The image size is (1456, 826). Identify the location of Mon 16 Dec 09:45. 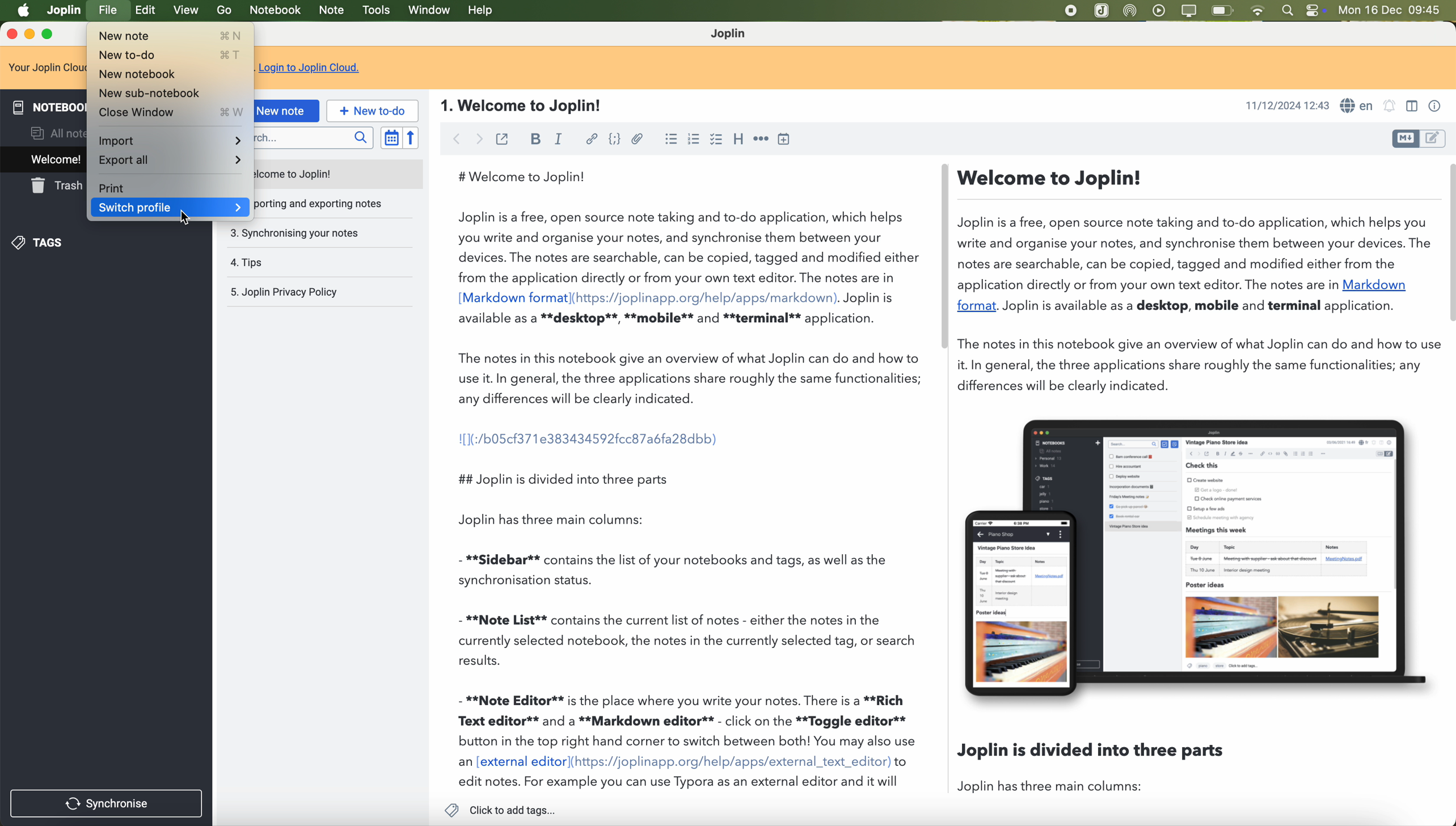
(1391, 11).